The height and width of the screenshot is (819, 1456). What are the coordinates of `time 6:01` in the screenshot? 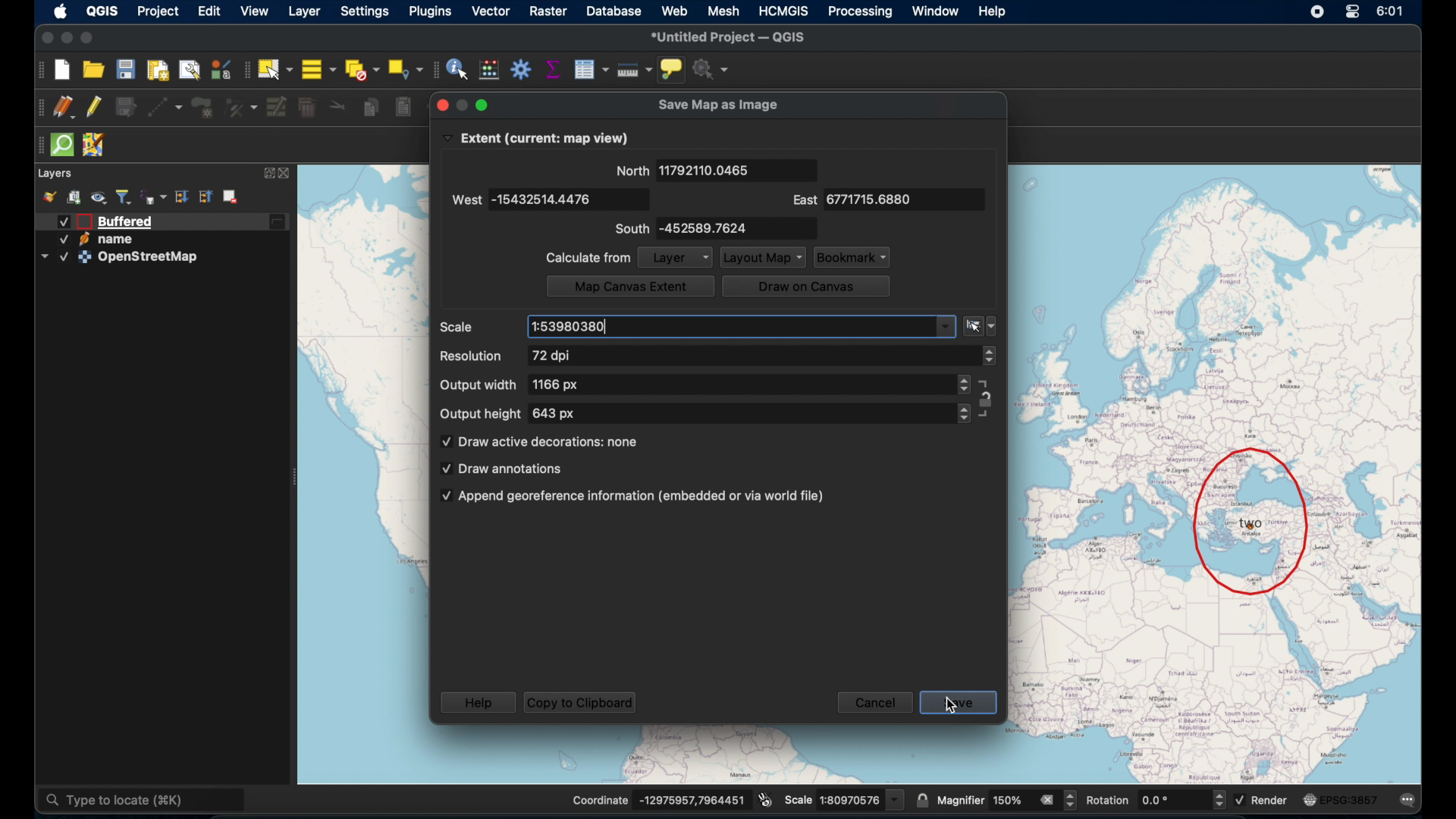 It's located at (1389, 11).